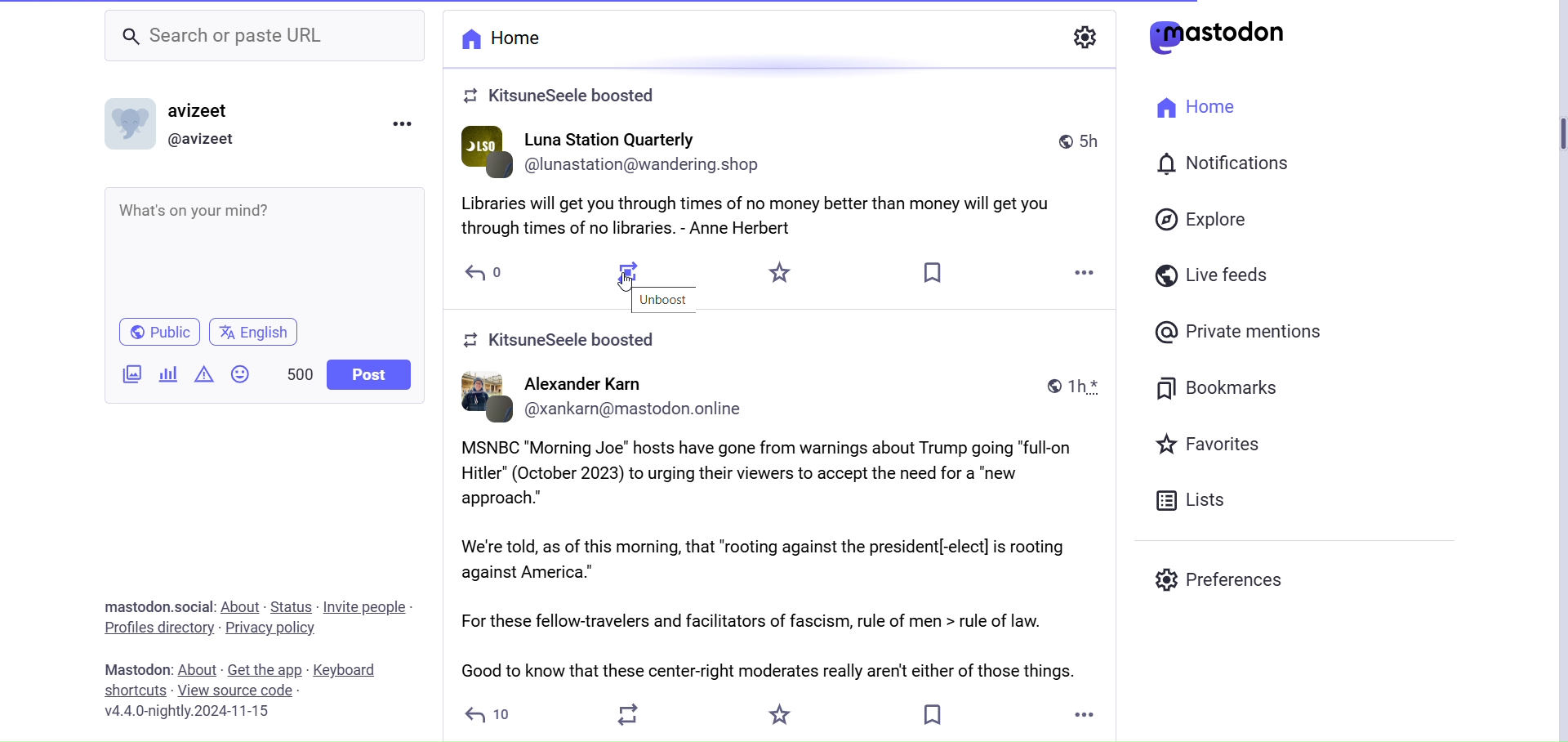 This screenshot has height=742, width=1568. What do you see at coordinates (207, 138) in the screenshot?
I see `Profile ` at bounding box center [207, 138].